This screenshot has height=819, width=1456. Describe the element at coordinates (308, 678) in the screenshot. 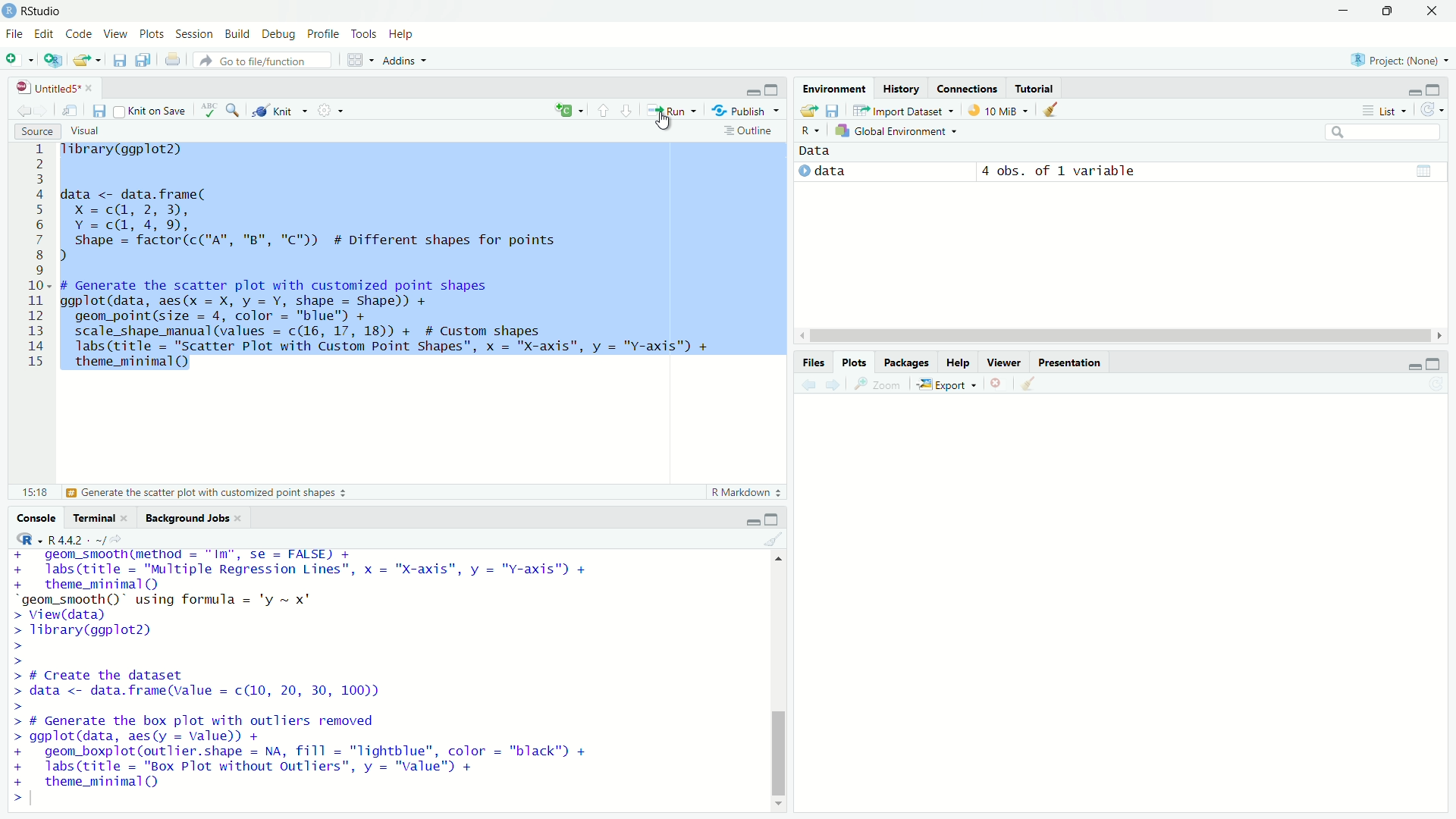

I see `+ geom_smoothime€thod = "Im", se = FALSE) +
+ labs(title = "Multiple Regression Lines", x = "X-axis", y = "Y-axis") +
+  theme_minimal(Q)

“geom_smooth()" using formula = 'y ~ x"

> View(data)

> Tibrary(ggplot2)

>

>

> # Create the dataset

> data <- data.frame(value = c(10, 20, 30, 100))

>

> # Generate the box plot with outliers removed

> ggplot(data, aes(y = value)) +

+ geom_boxplot(outlier.shape = NA, fill = "Tightblue", color = "black" +
+ labs(title = "Box Plot without Outliers”, y = "value") +

+  theme_minimal (QQ

>` at that location.